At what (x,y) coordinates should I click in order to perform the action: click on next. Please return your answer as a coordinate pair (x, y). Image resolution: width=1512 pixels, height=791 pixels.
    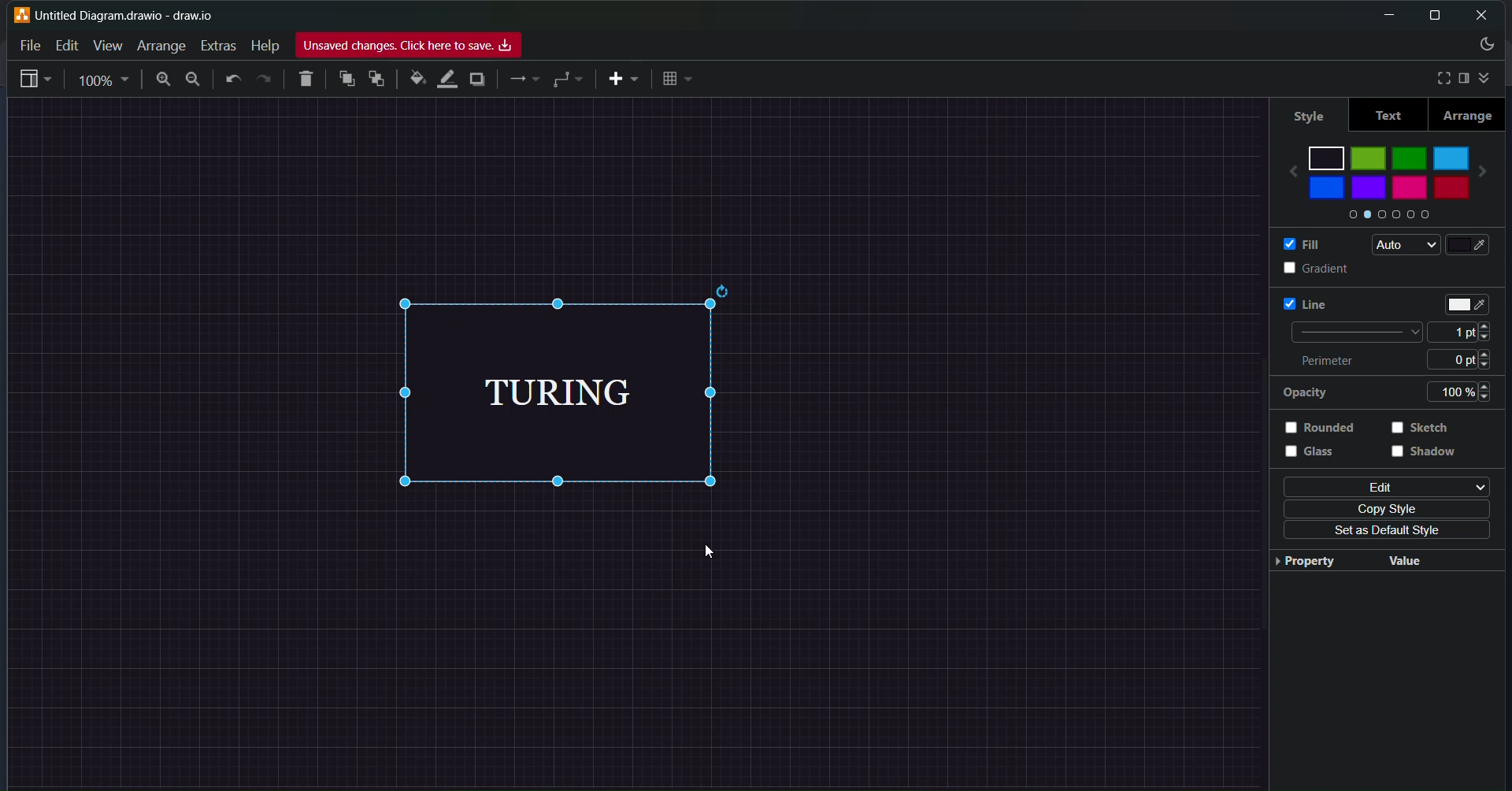
    Looking at the image, I should click on (1492, 166).